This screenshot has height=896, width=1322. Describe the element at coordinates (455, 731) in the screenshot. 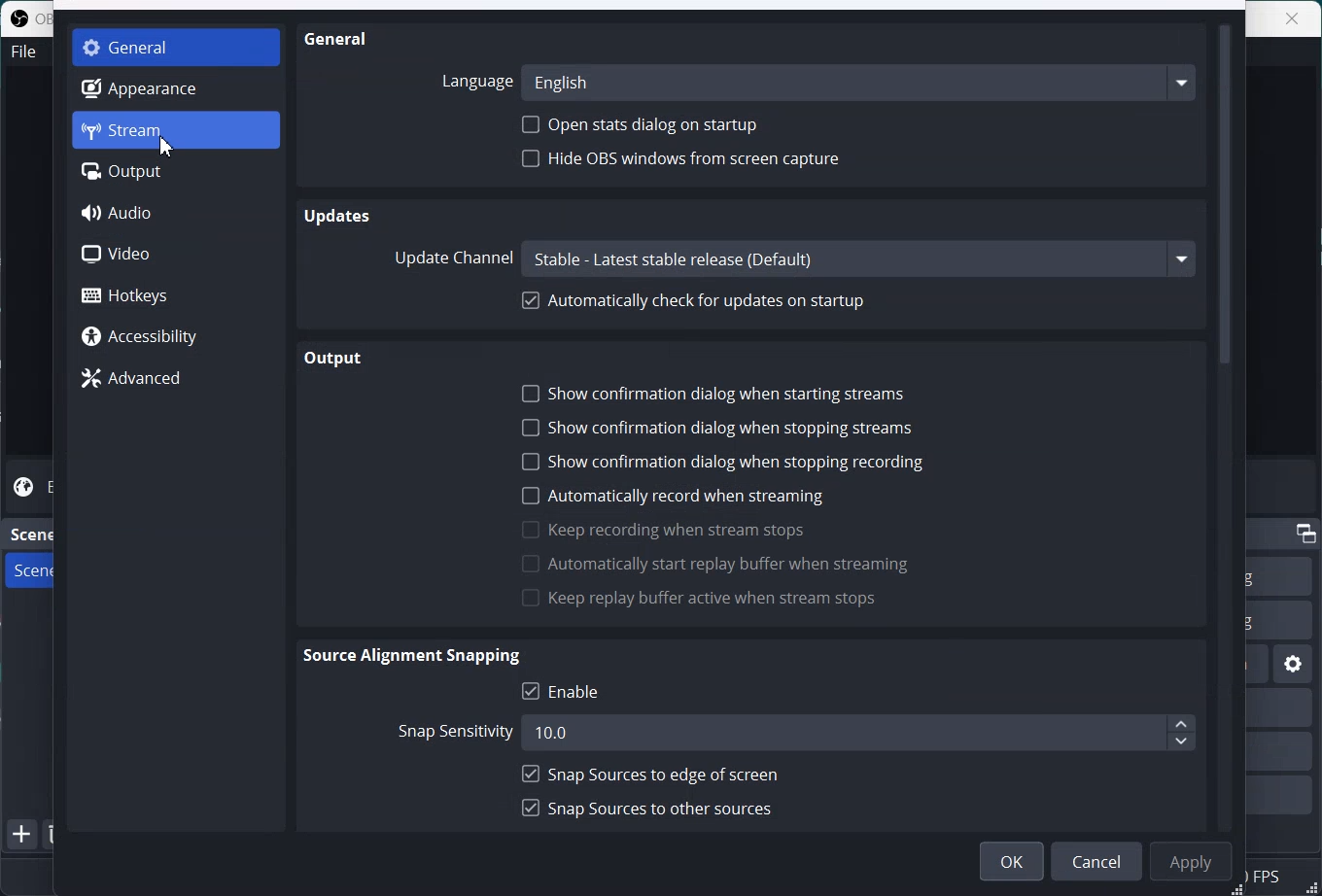

I see `Snap sensitivity` at that location.